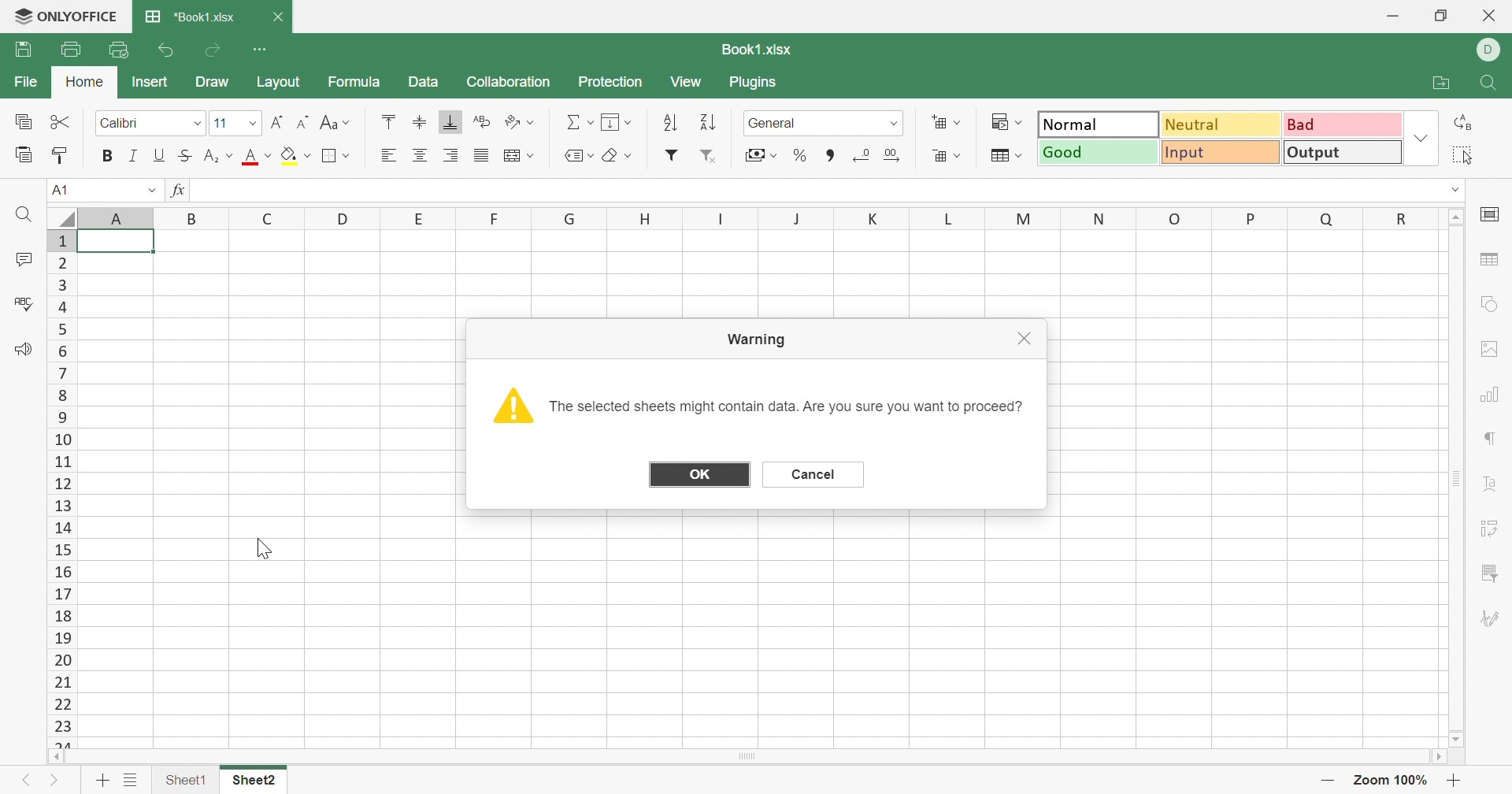 The height and width of the screenshot is (794, 1512). I want to click on Insert cells, so click(939, 122).